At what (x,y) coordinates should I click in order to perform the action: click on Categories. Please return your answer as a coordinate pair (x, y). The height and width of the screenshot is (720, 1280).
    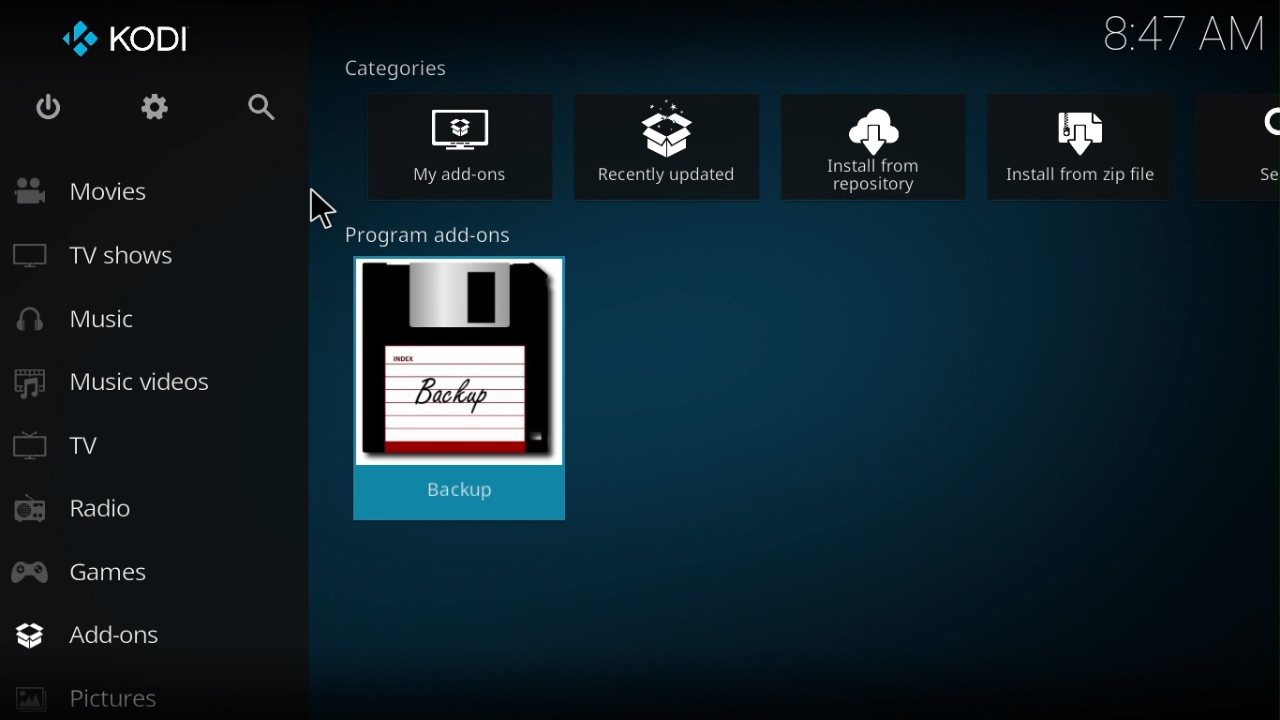
    Looking at the image, I should click on (407, 66).